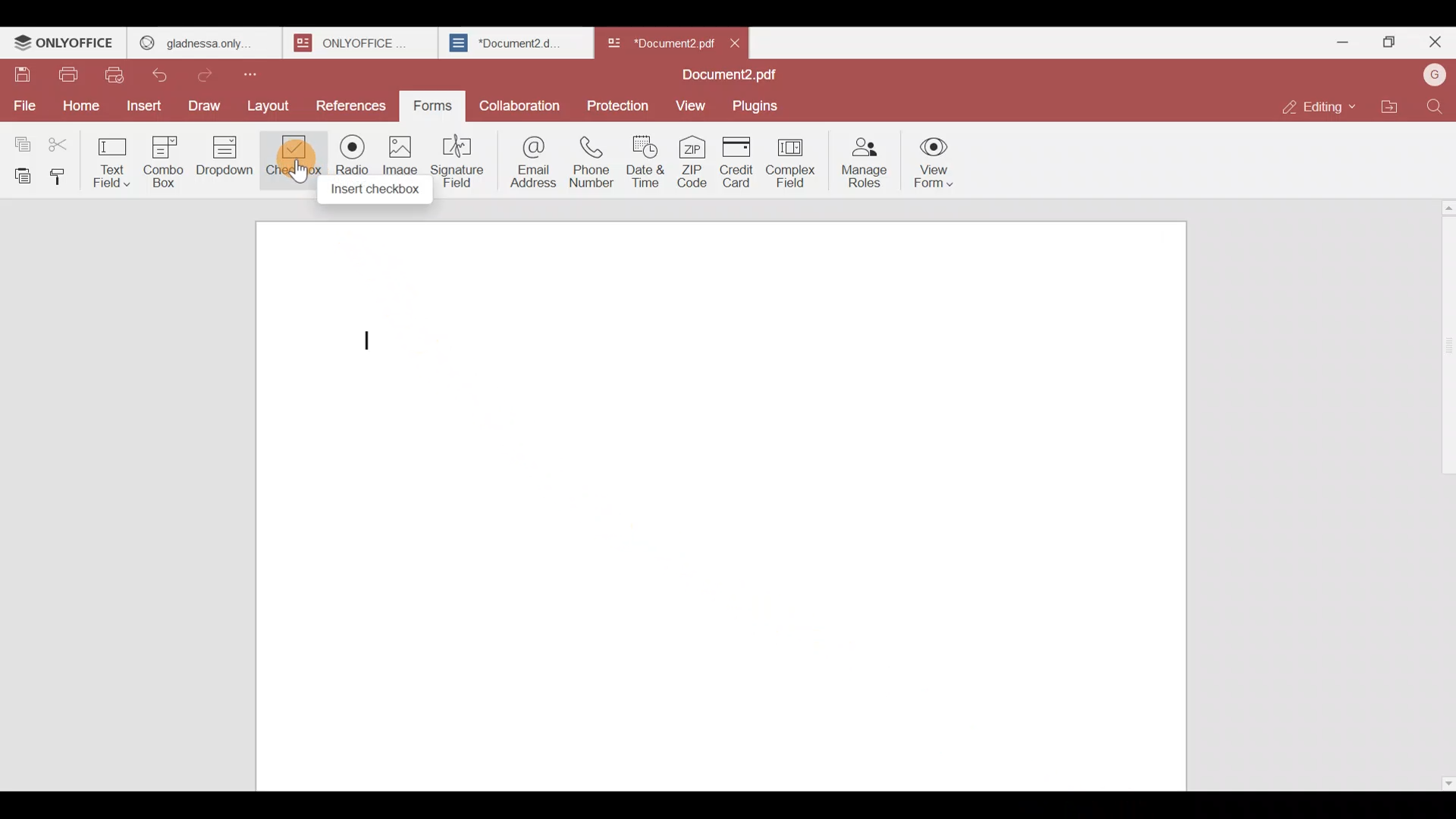 This screenshot has width=1456, height=819. Describe the element at coordinates (1435, 106) in the screenshot. I see `Find` at that location.